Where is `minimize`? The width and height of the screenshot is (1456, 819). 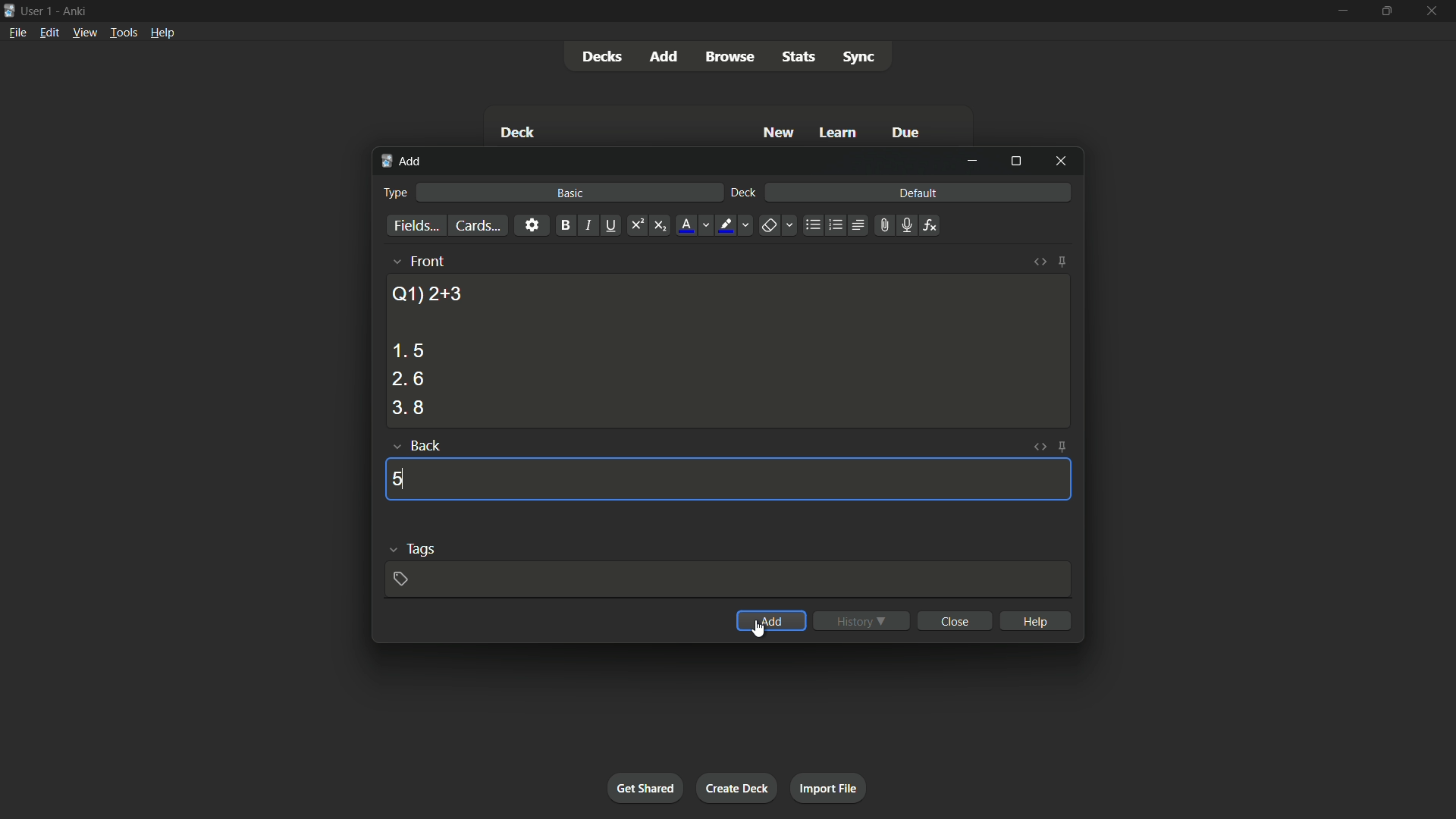
minimize is located at coordinates (972, 161).